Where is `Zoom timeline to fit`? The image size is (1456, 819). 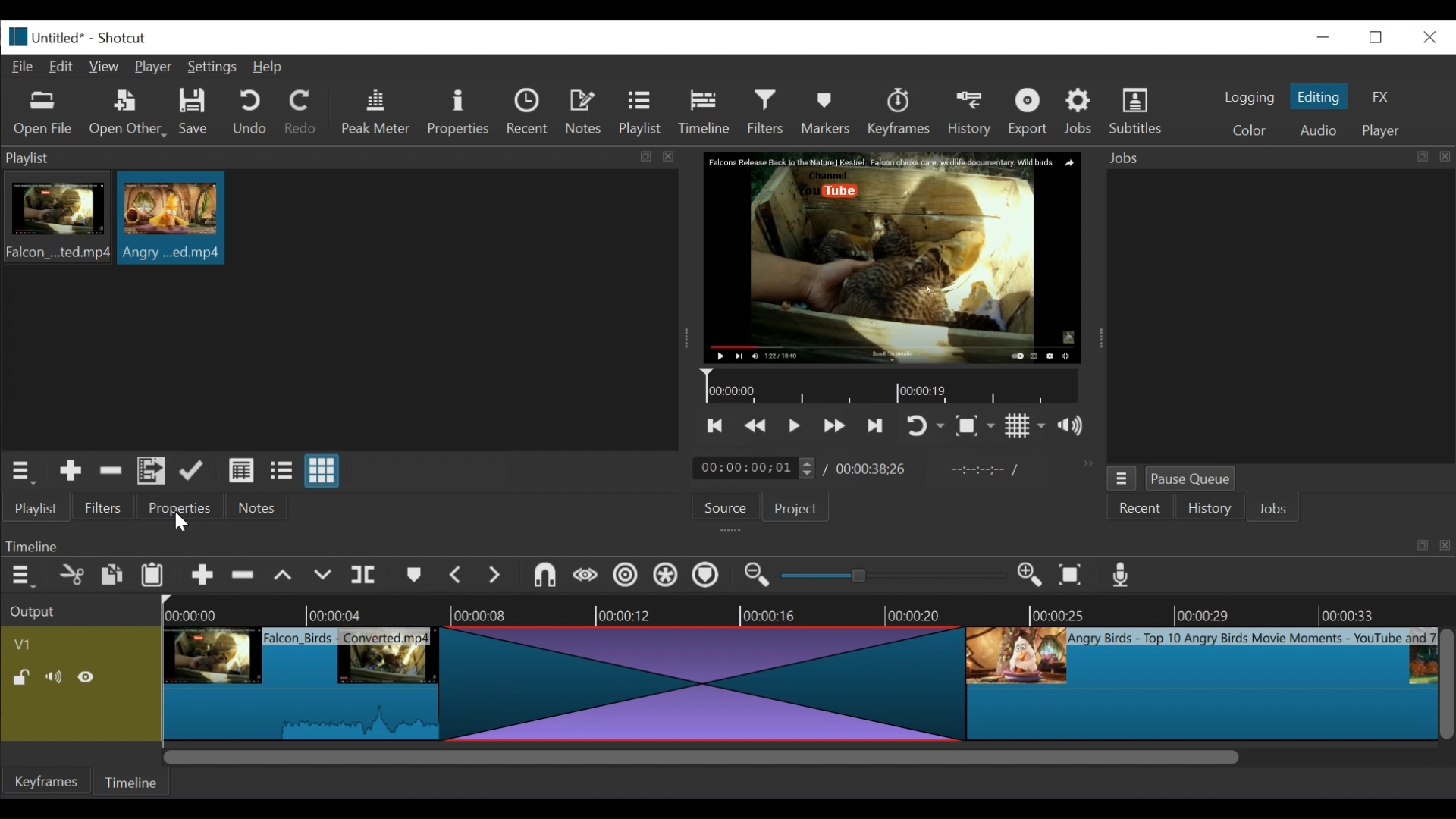
Zoom timeline to fit is located at coordinates (1075, 576).